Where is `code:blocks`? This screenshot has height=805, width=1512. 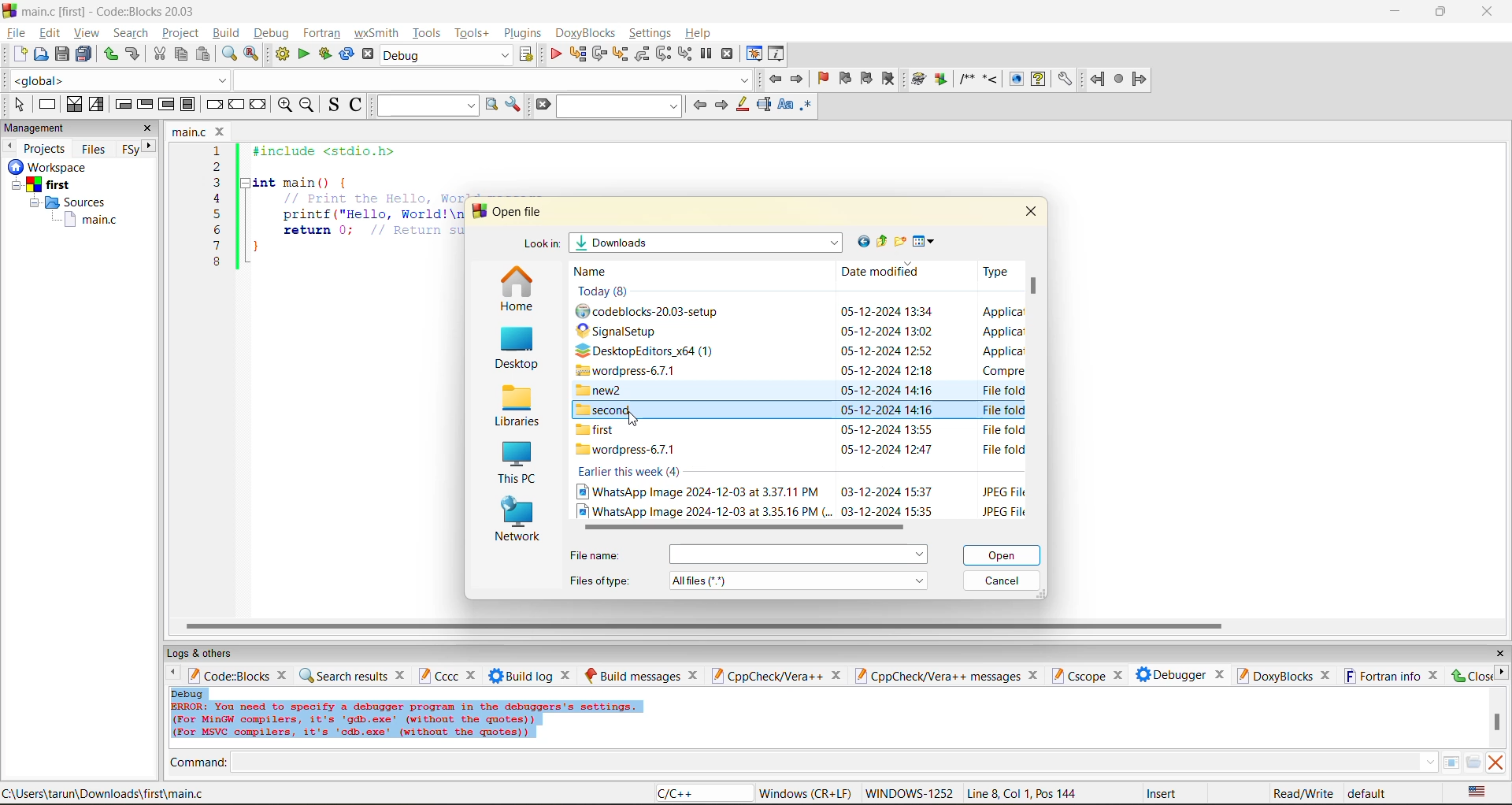 code:blocks is located at coordinates (228, 675).